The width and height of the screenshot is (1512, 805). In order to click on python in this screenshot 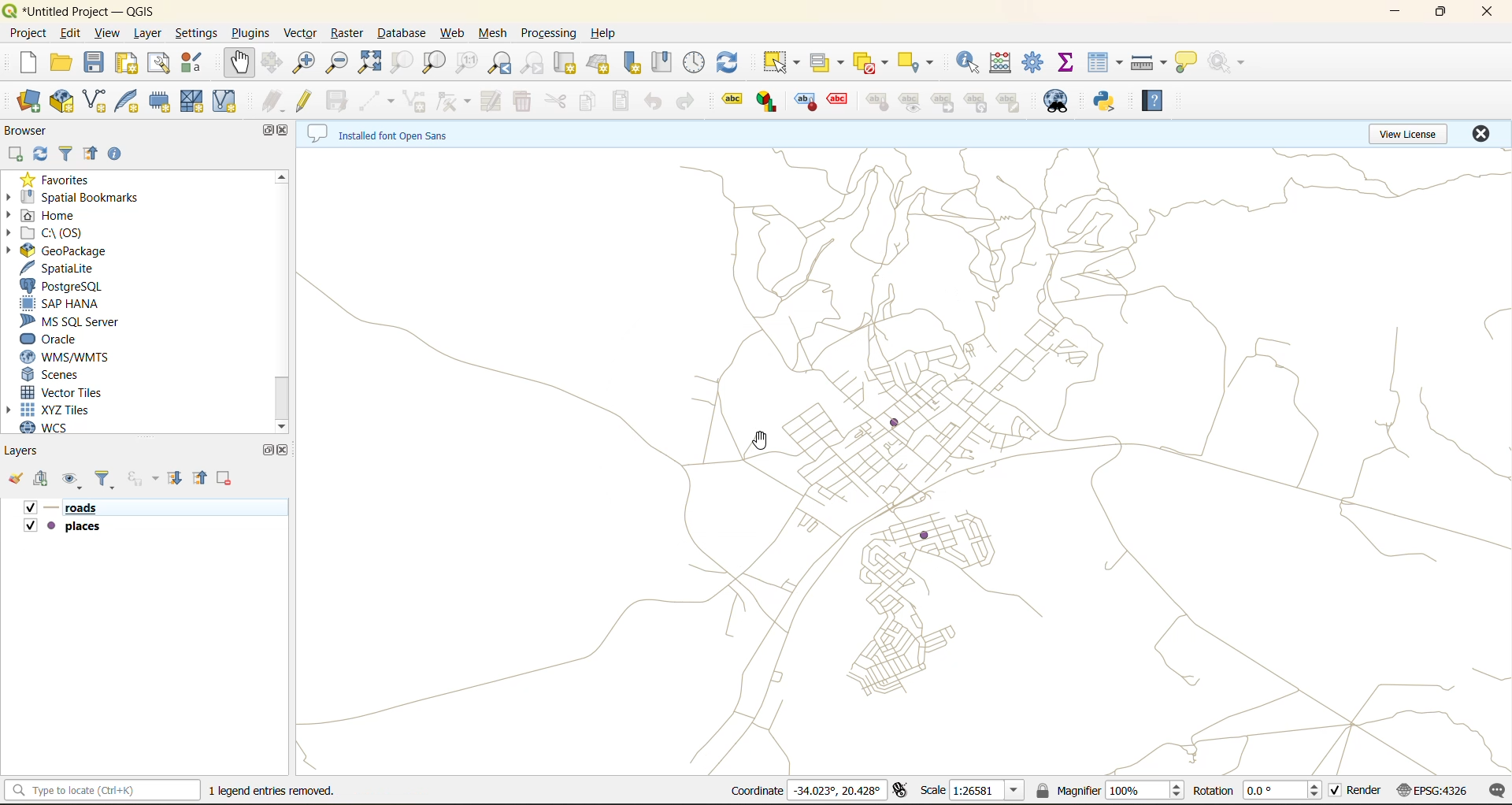, I will do `click(1104, 102)`.